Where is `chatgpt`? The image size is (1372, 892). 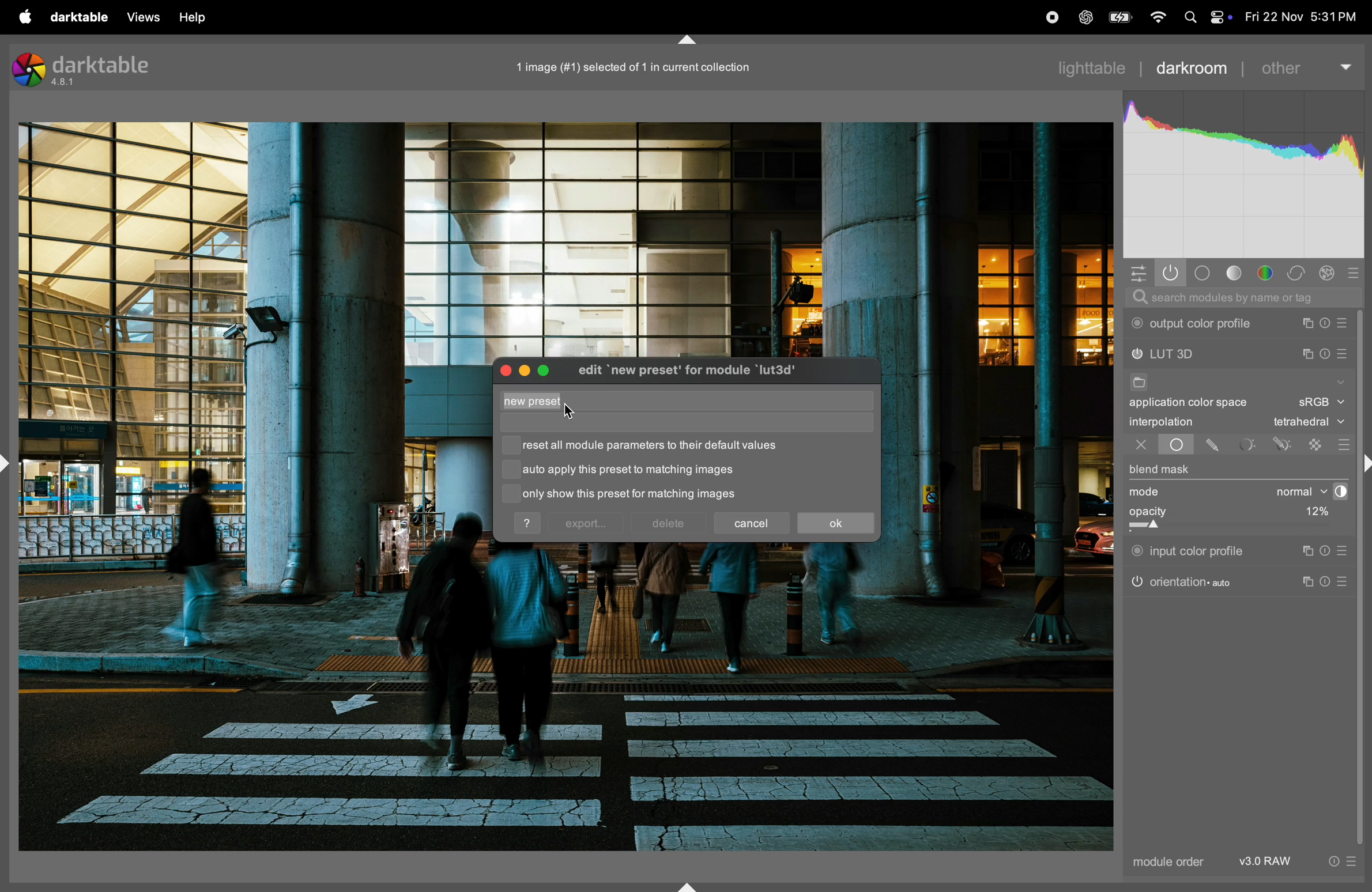 chatgpt is located at coordinates (1085, 18).